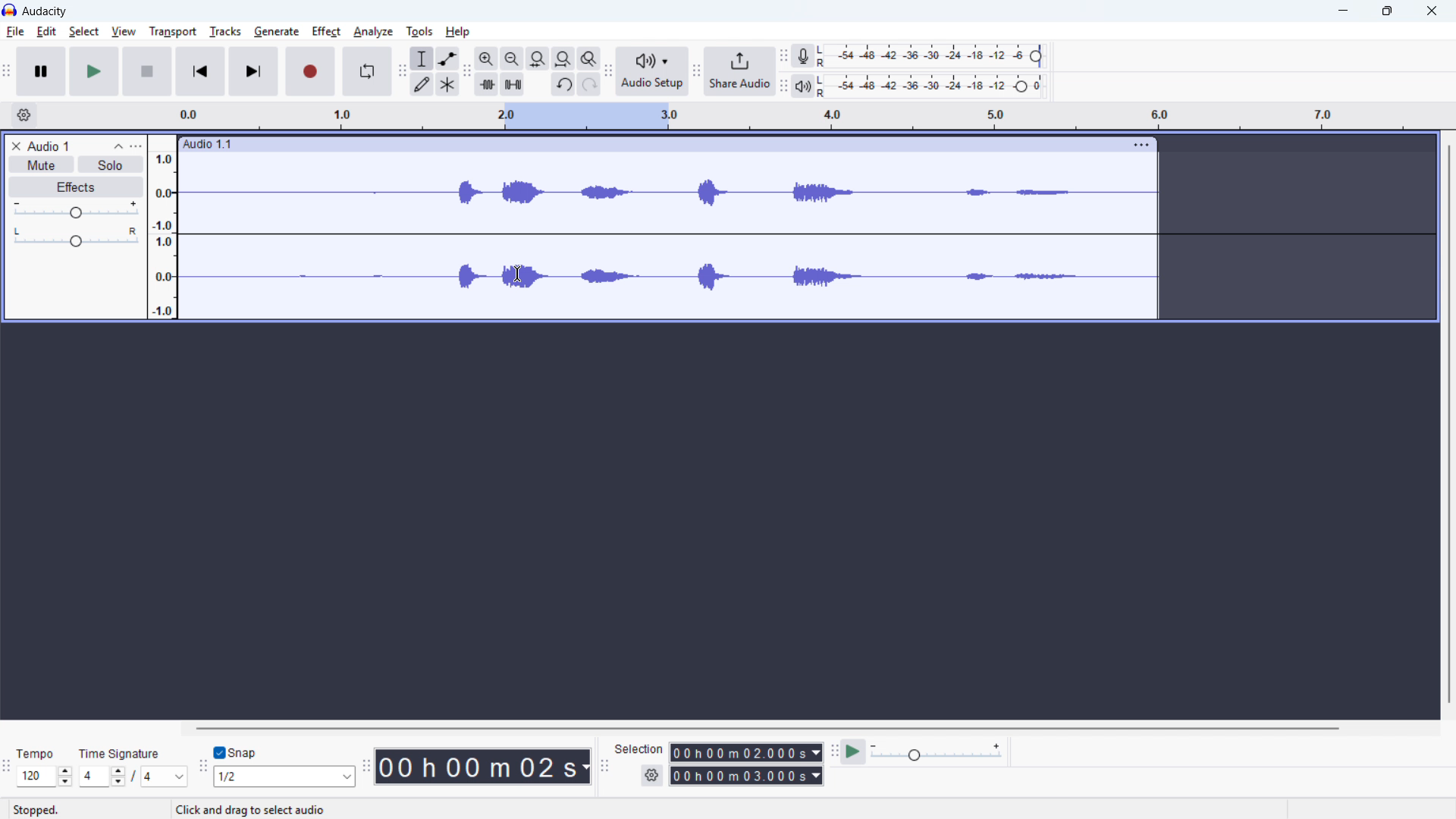 The image size is (1456, 819). What do you see at coordinates (419, 31) in the screenshot?
I see `Tools` at bounding box center [419, 31].